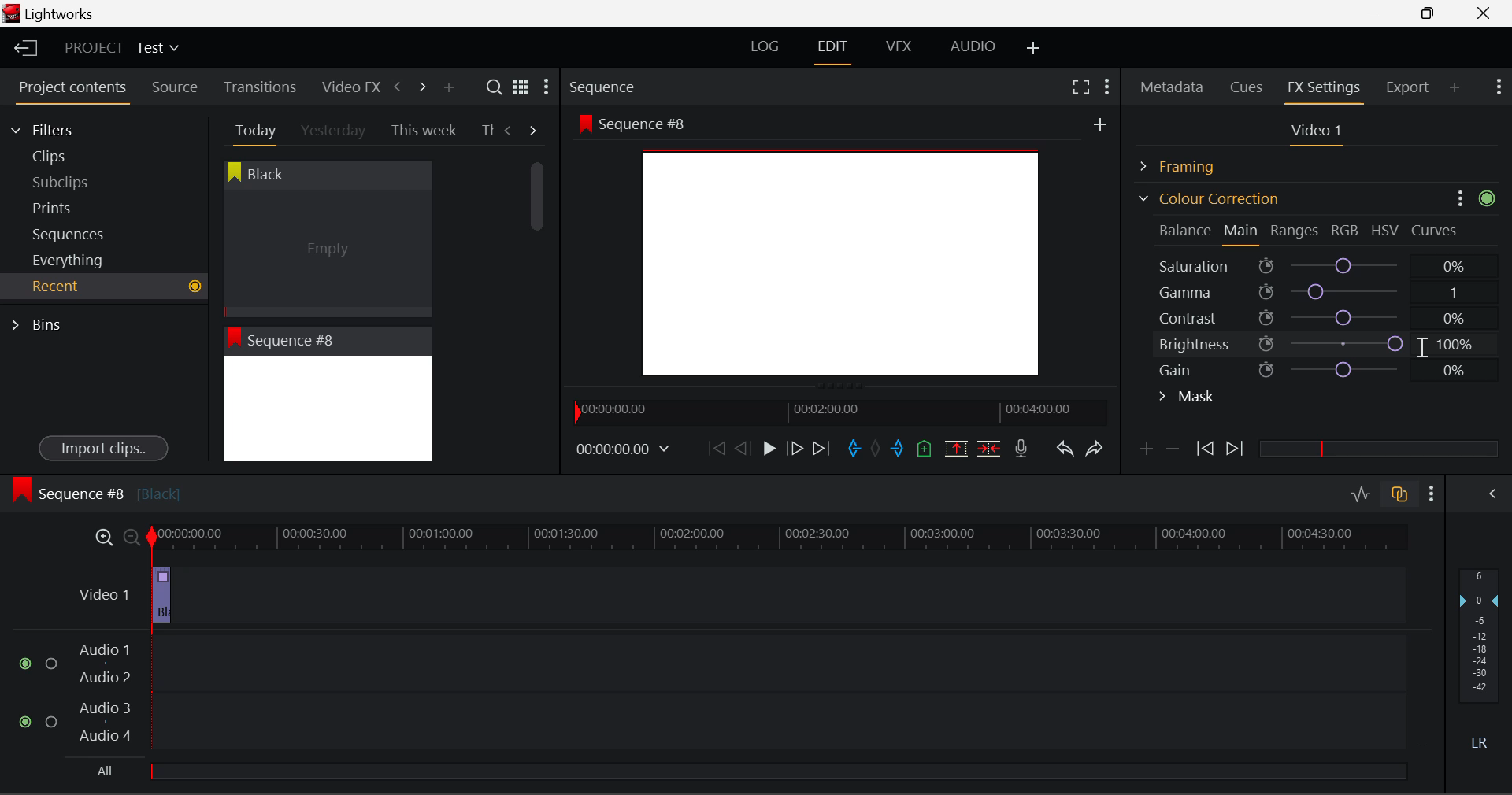 The image size is (1512, 795). I want to click on Cursor MOUSE_DOWN on Black Clip, so click(325, 238).